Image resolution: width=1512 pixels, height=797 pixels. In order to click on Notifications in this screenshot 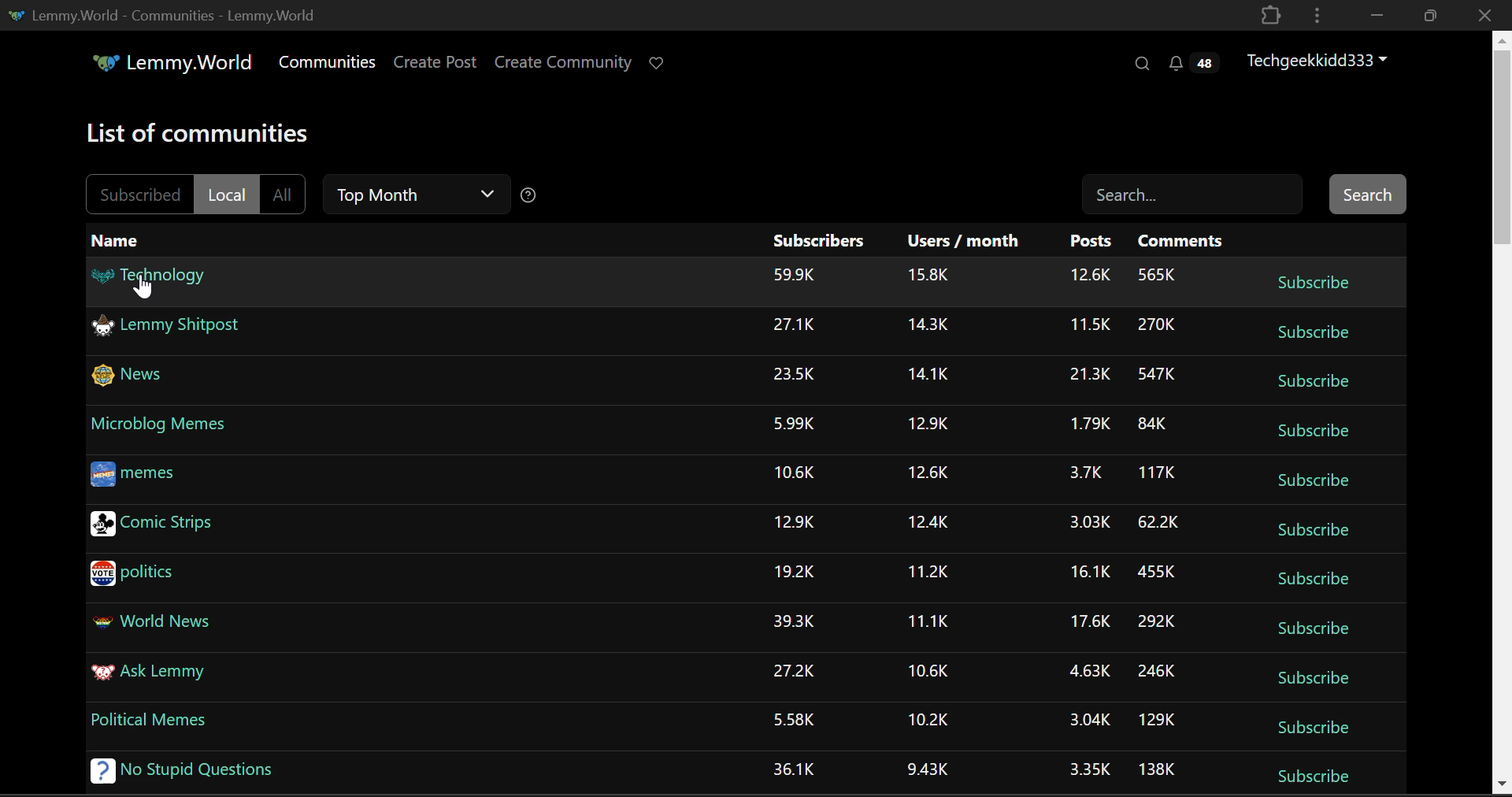, I will do `click(1197, 61)`.